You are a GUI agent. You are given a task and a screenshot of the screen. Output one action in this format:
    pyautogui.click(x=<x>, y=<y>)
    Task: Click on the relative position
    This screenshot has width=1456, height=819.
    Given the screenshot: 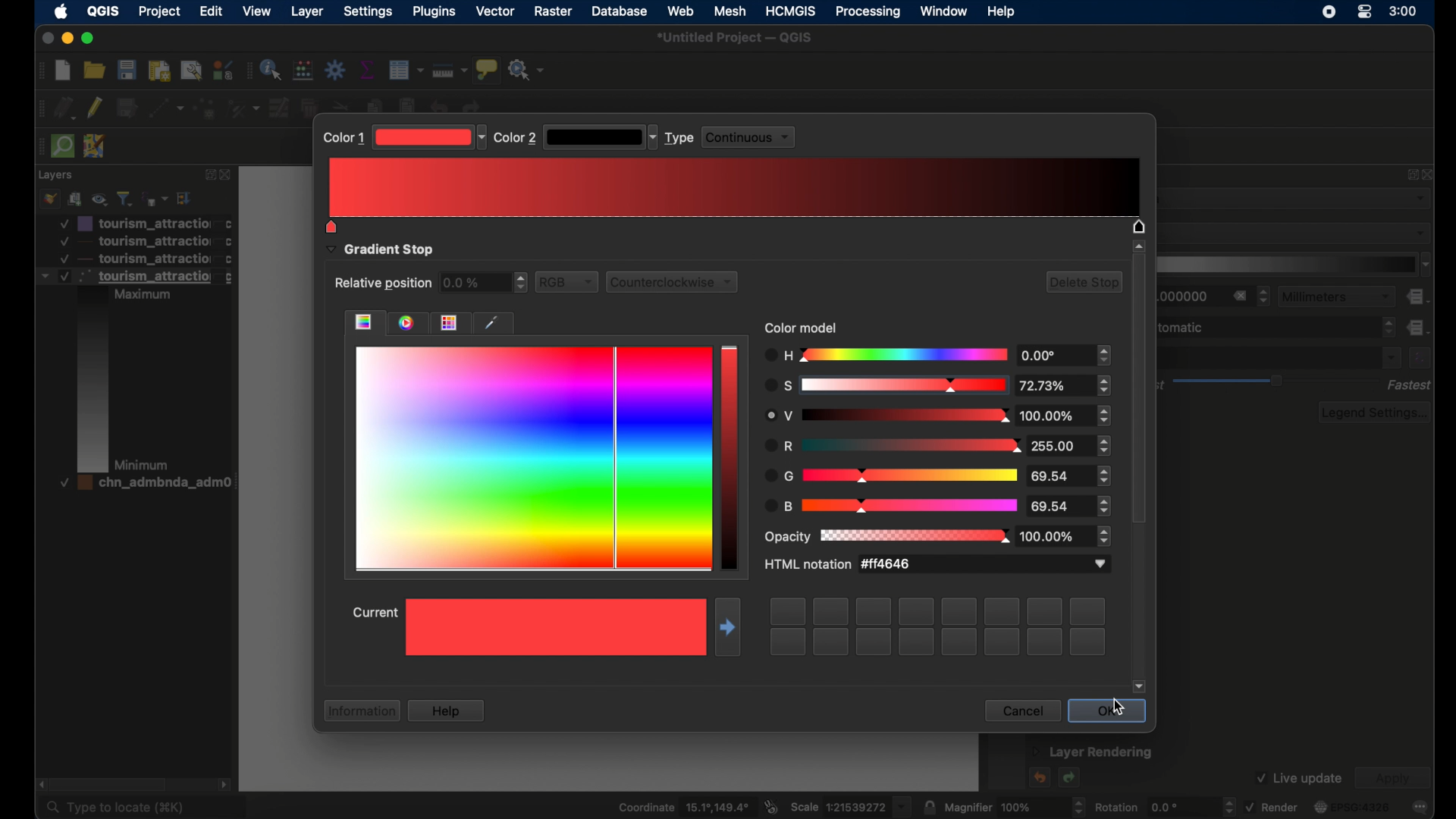 What is the action you would take?
    pyautogui.click(x=381, y=284)
    